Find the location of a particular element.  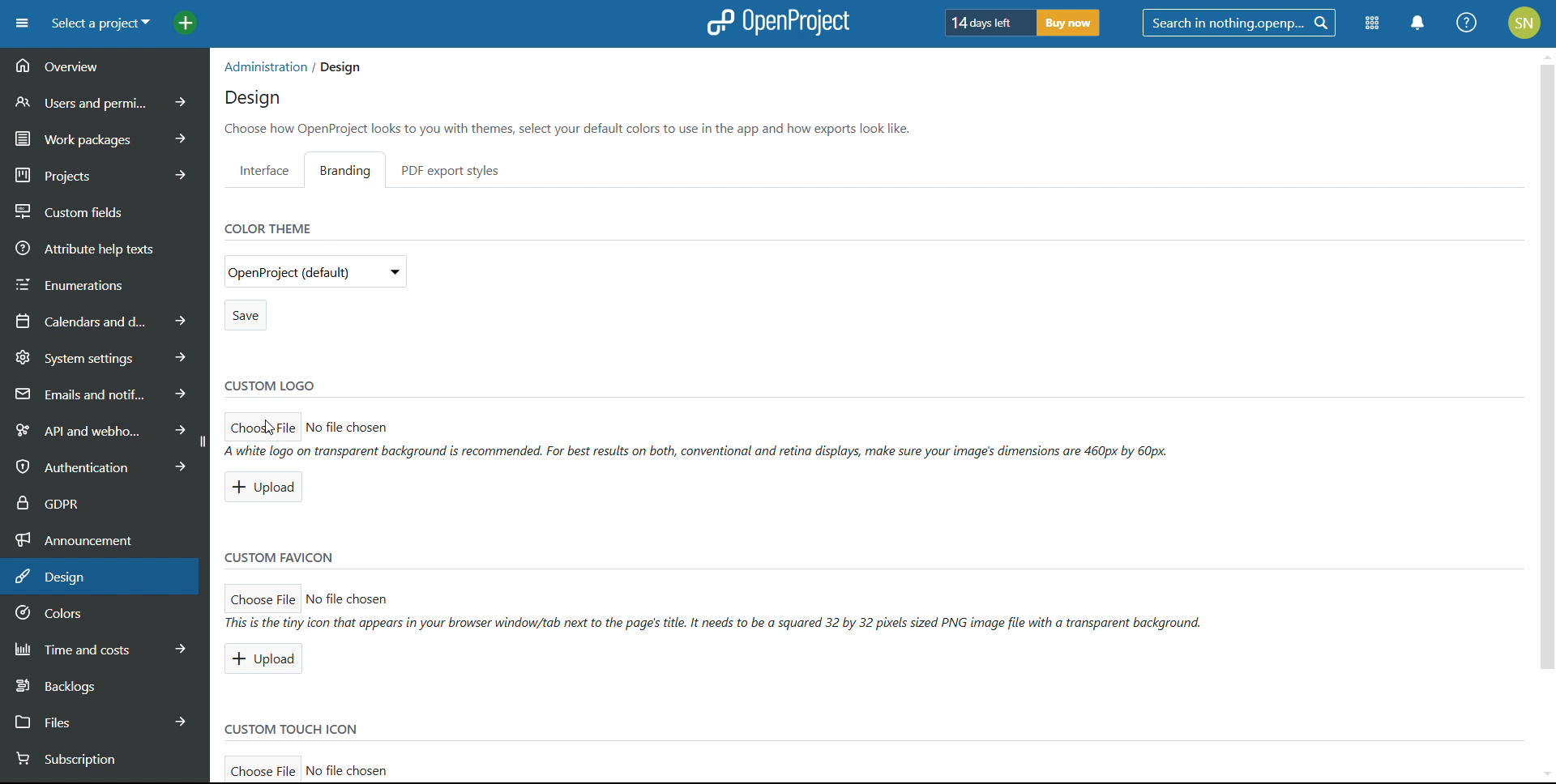

Cursor is located at coordinates (268, 430).